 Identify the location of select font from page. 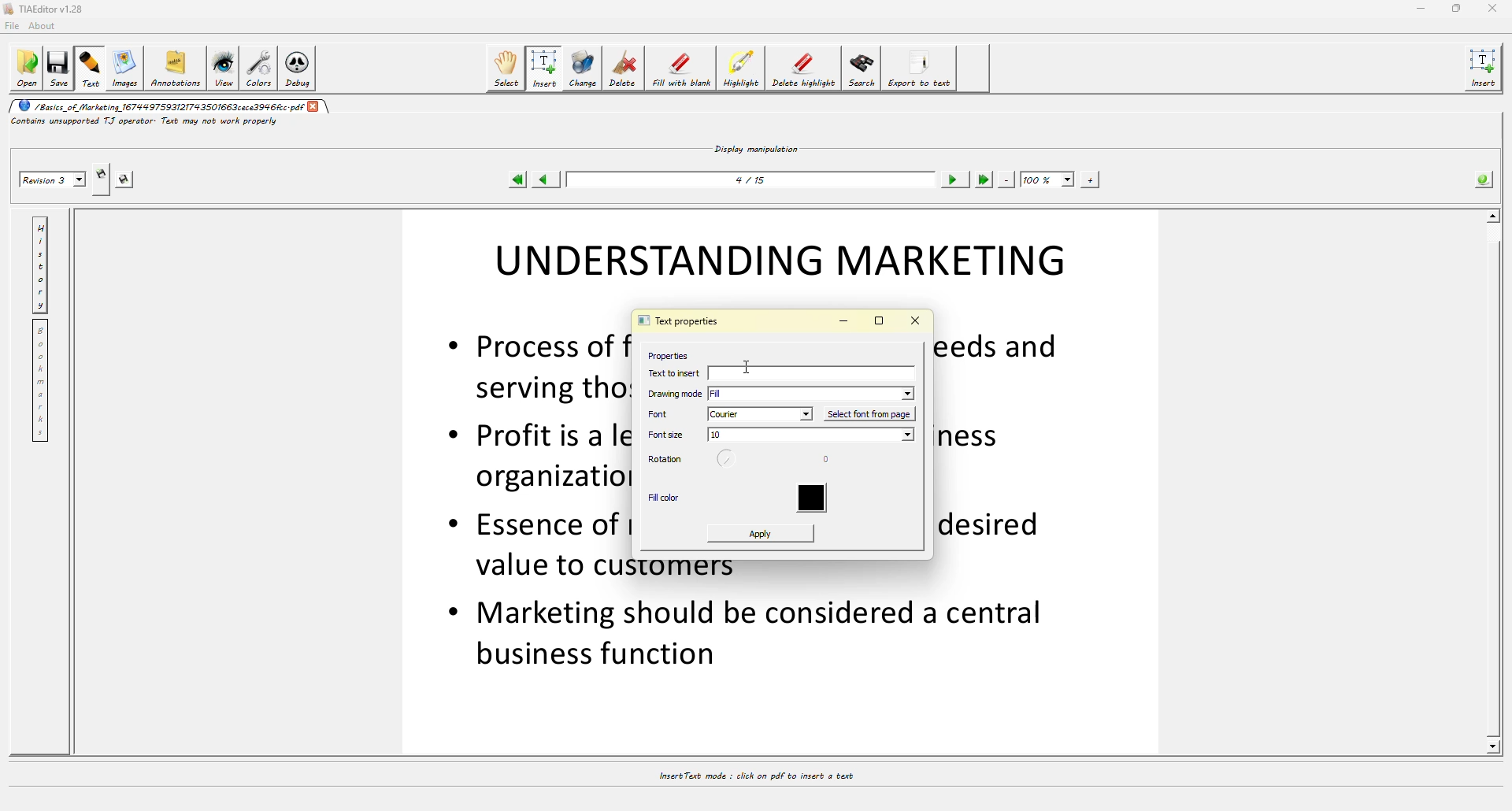
(872, 413).